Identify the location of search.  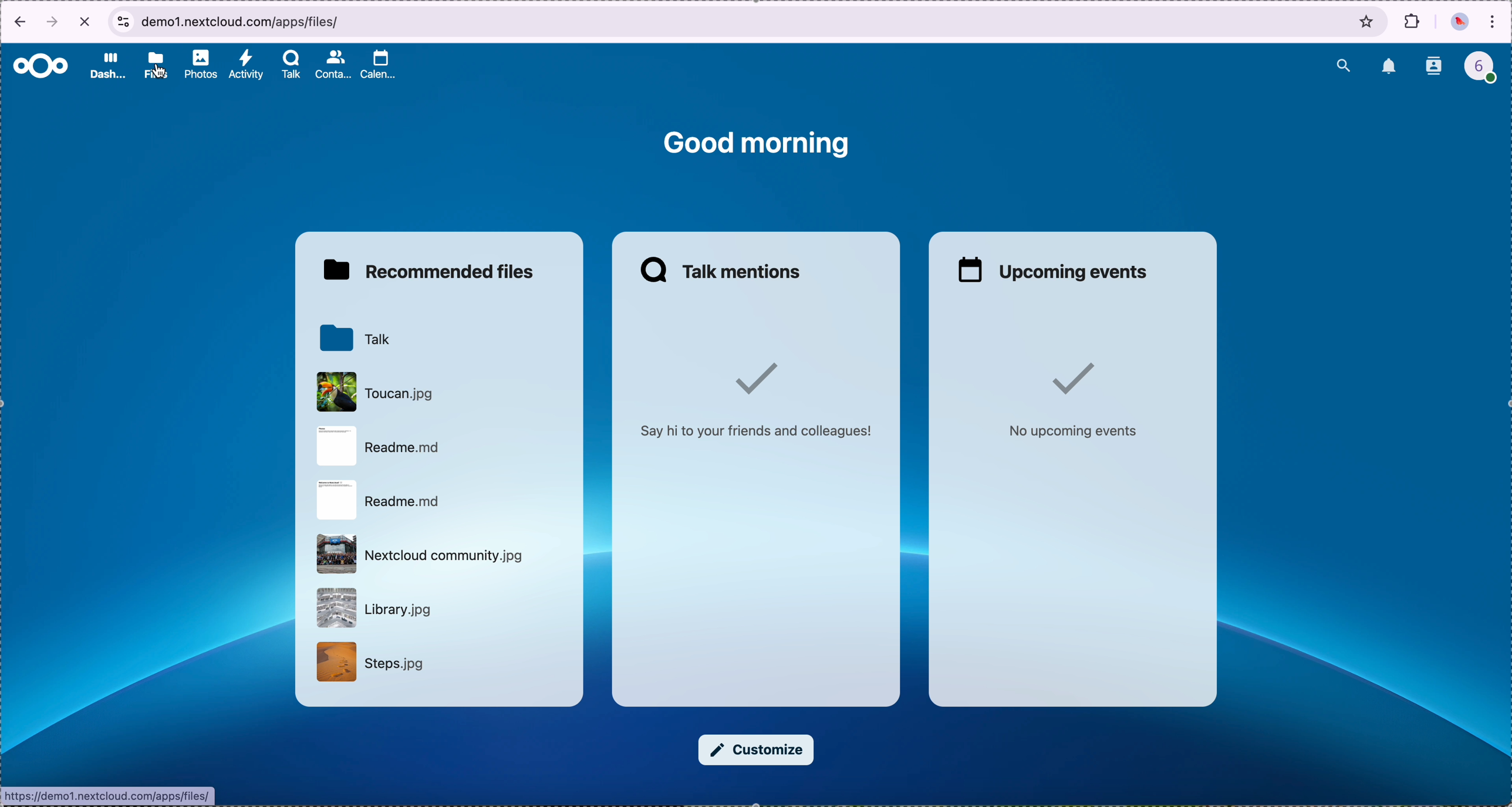
(1343, 63).